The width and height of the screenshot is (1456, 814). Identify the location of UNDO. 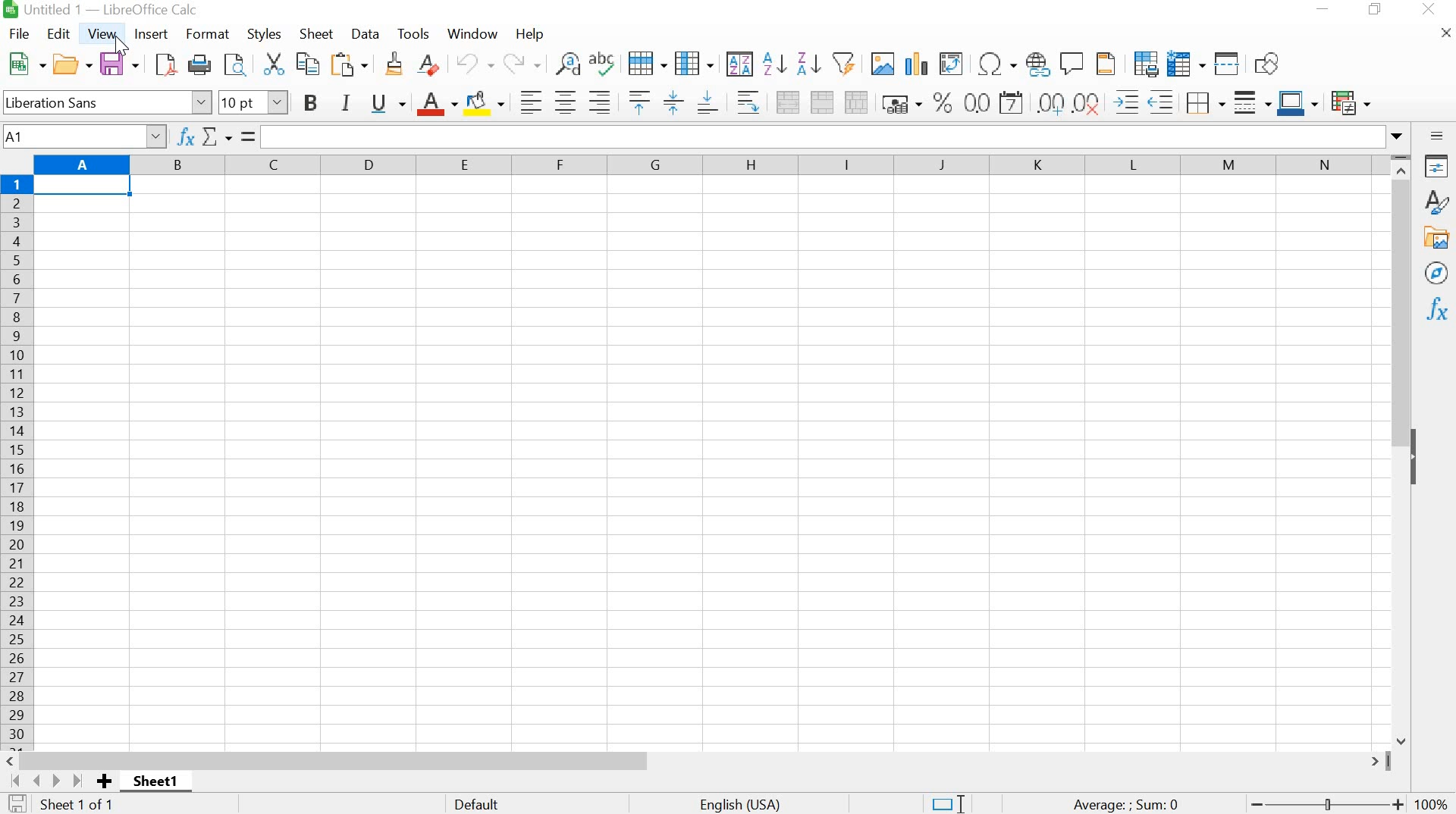
(476, 64).